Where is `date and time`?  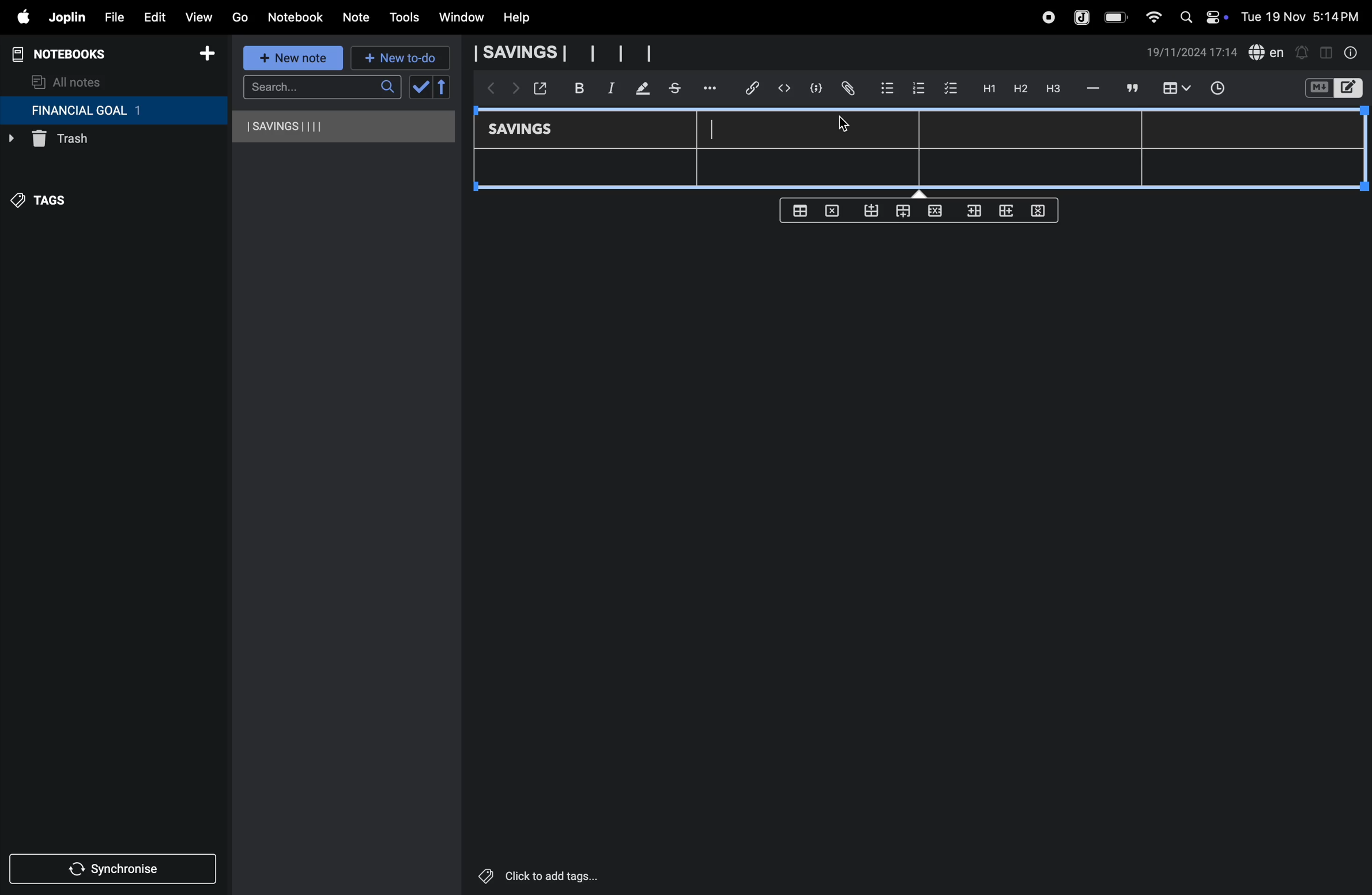
date and time is located at coordinates (1192, 52).